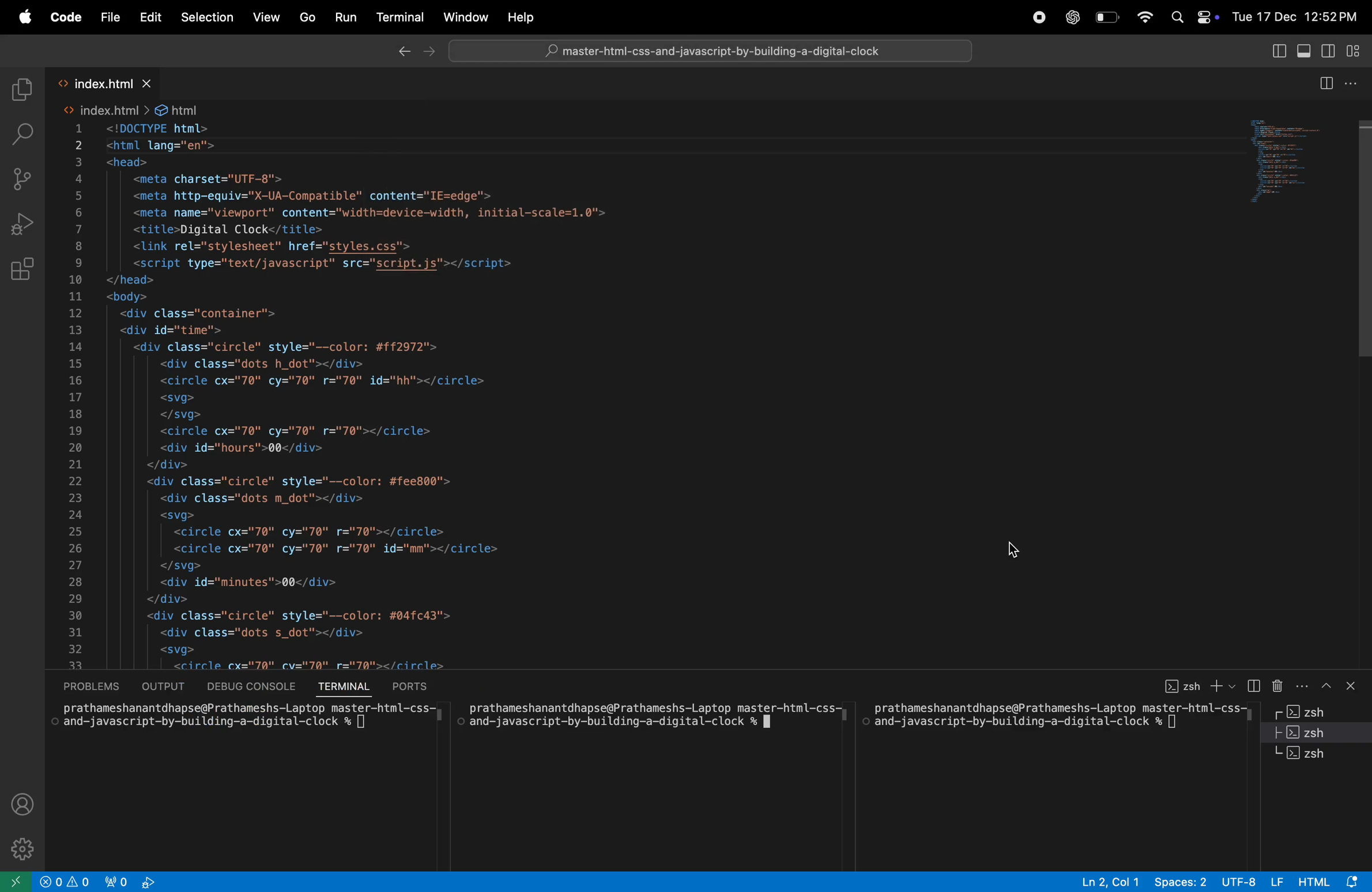 The height and width of the screenshot is (892, 1372). Describe the element at coordinates (110, 84) in the screenshot. I see `index.html` at that location.